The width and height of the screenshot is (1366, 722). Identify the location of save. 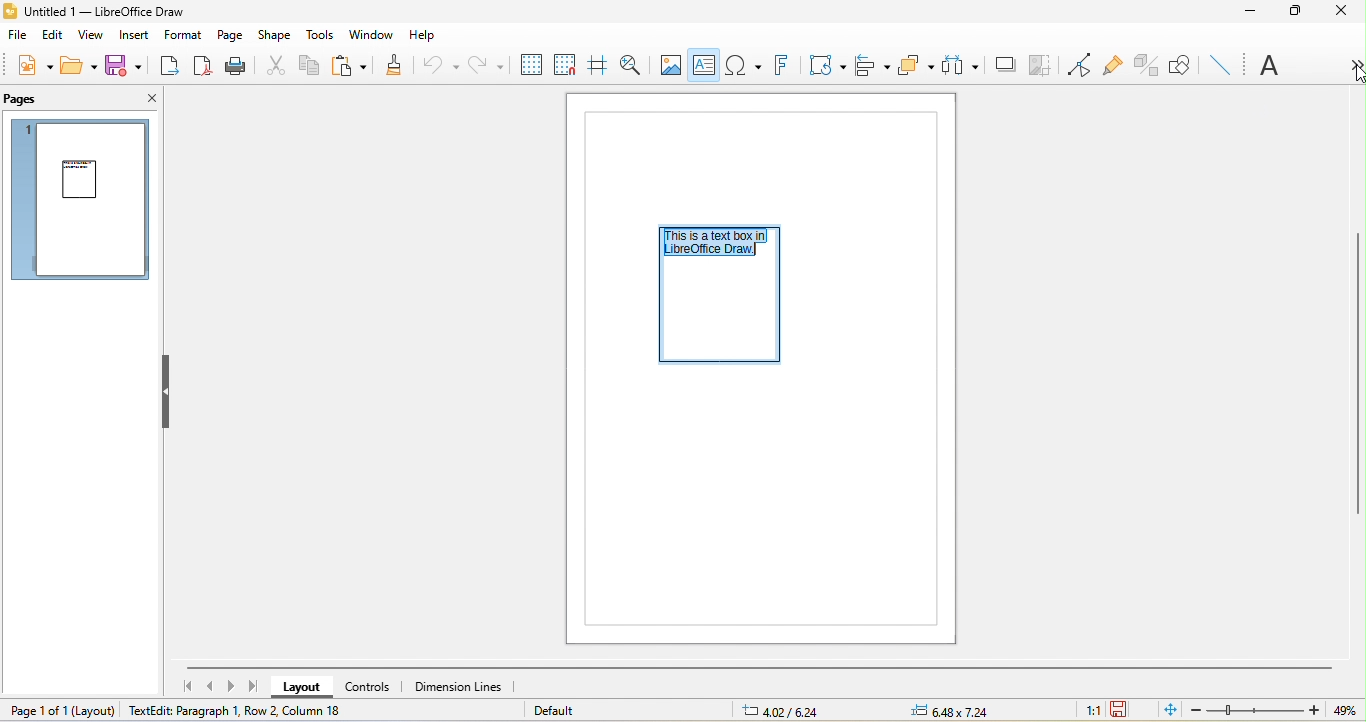
(129, 68).